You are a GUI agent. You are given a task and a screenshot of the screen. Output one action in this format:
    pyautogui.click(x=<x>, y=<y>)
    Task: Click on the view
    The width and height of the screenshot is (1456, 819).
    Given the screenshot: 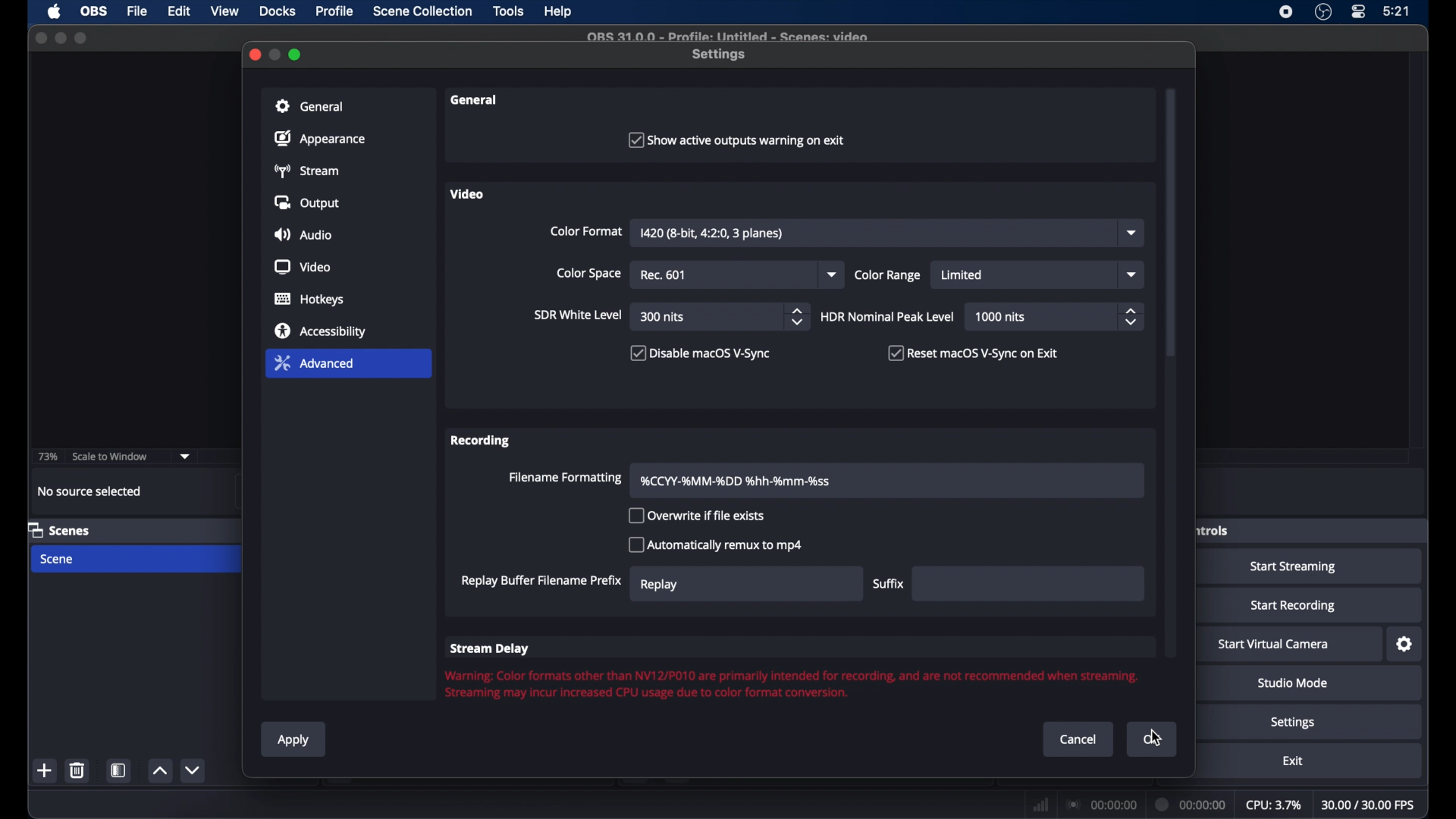 What is the action you would take?
    pyautogui.click(x=224, y=11)
    